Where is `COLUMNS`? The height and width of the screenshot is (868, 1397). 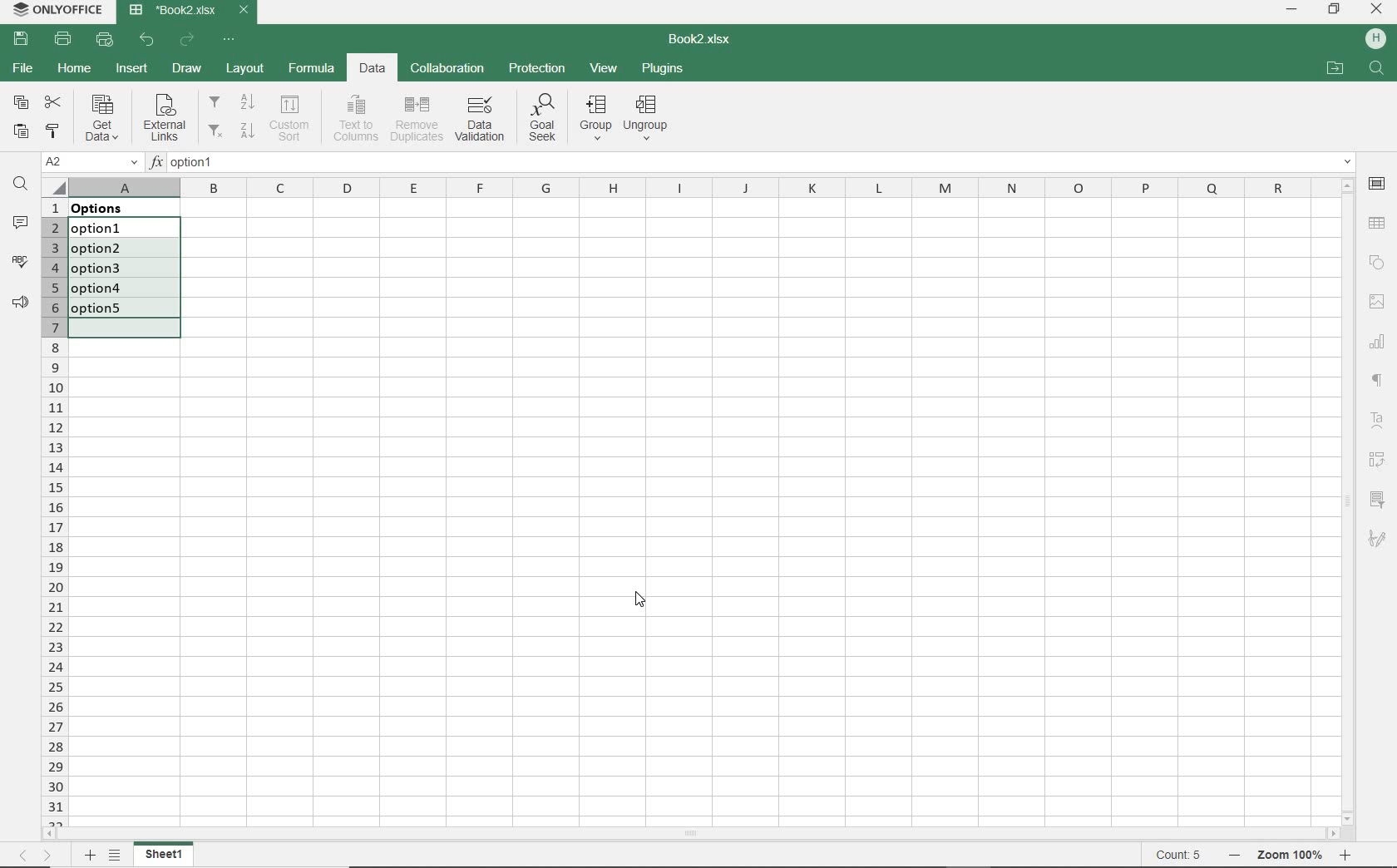
COLUMNS is located at coordinates (700, 186).